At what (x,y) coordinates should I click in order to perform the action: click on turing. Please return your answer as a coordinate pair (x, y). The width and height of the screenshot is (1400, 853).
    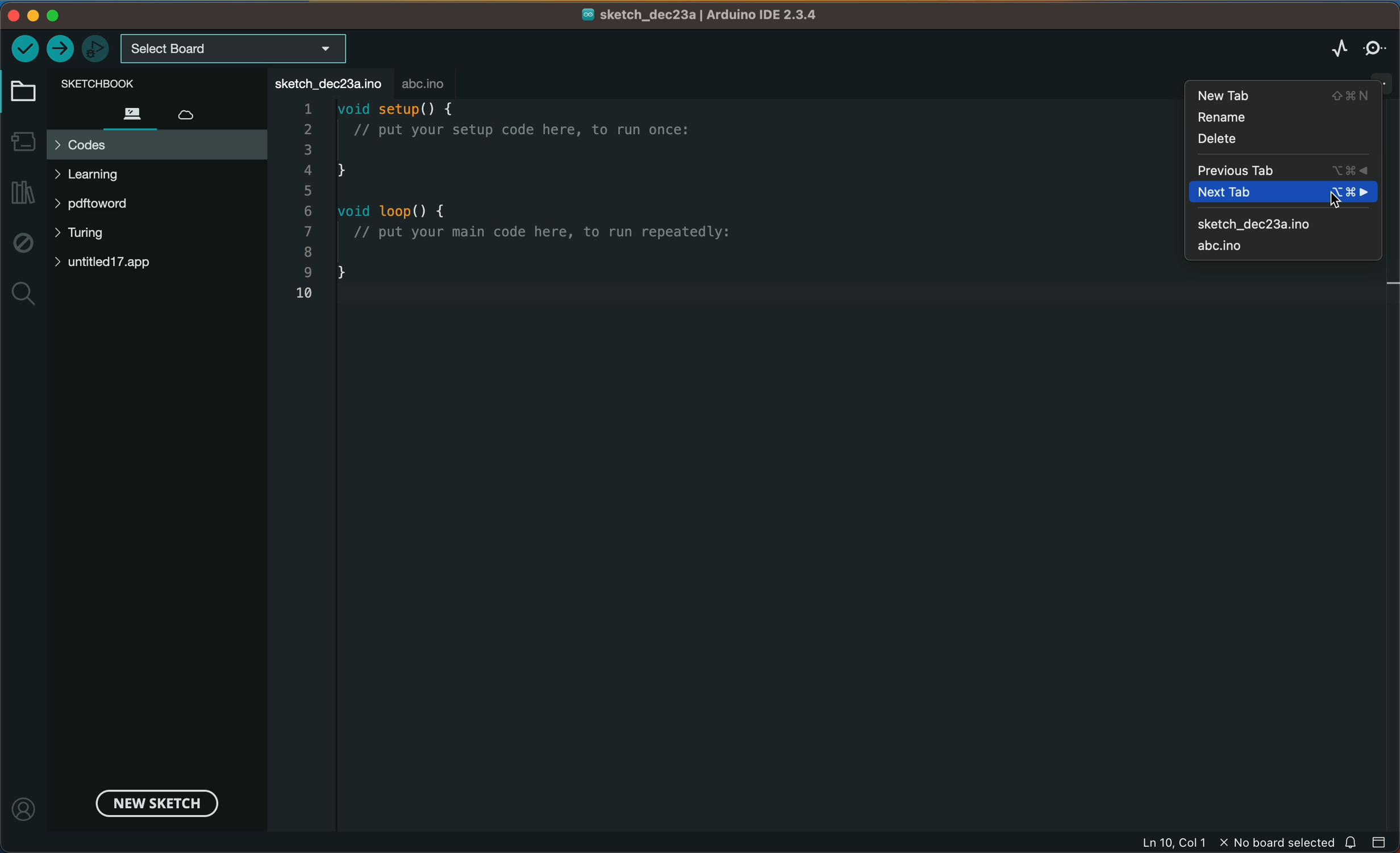
    Looking at the image, I should click on (89, 235).